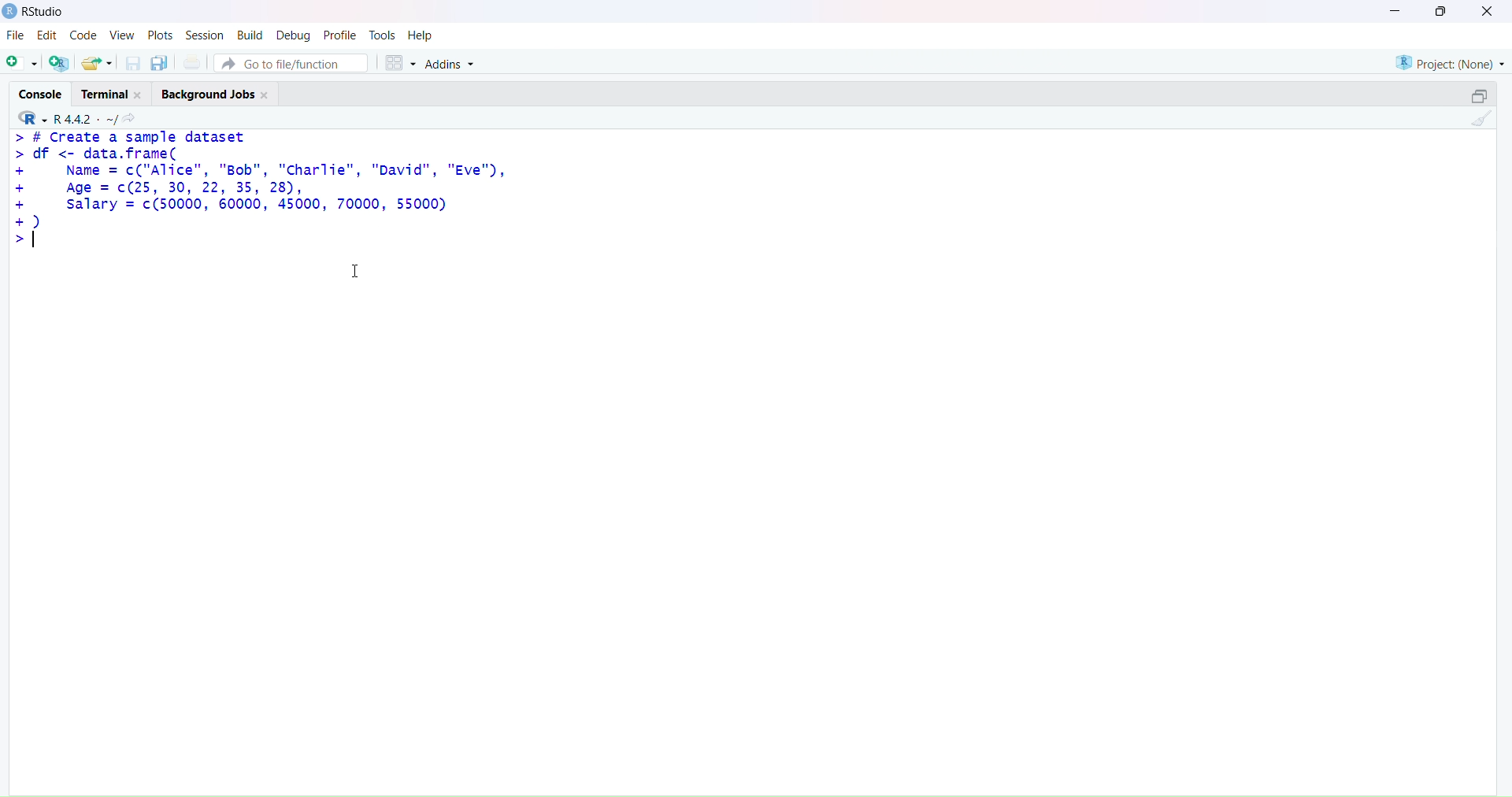  I want to click on > # create a sample dataset > df <- data.frame(+ Name = c("Alice", "Bob", "Charlie", "David", "Eve"),+ Age = c(25, 30, 22, 35, 28),+ salary = c(50000, 60000, 45000, 70000, 55000)+)>|, so click(272, 193).